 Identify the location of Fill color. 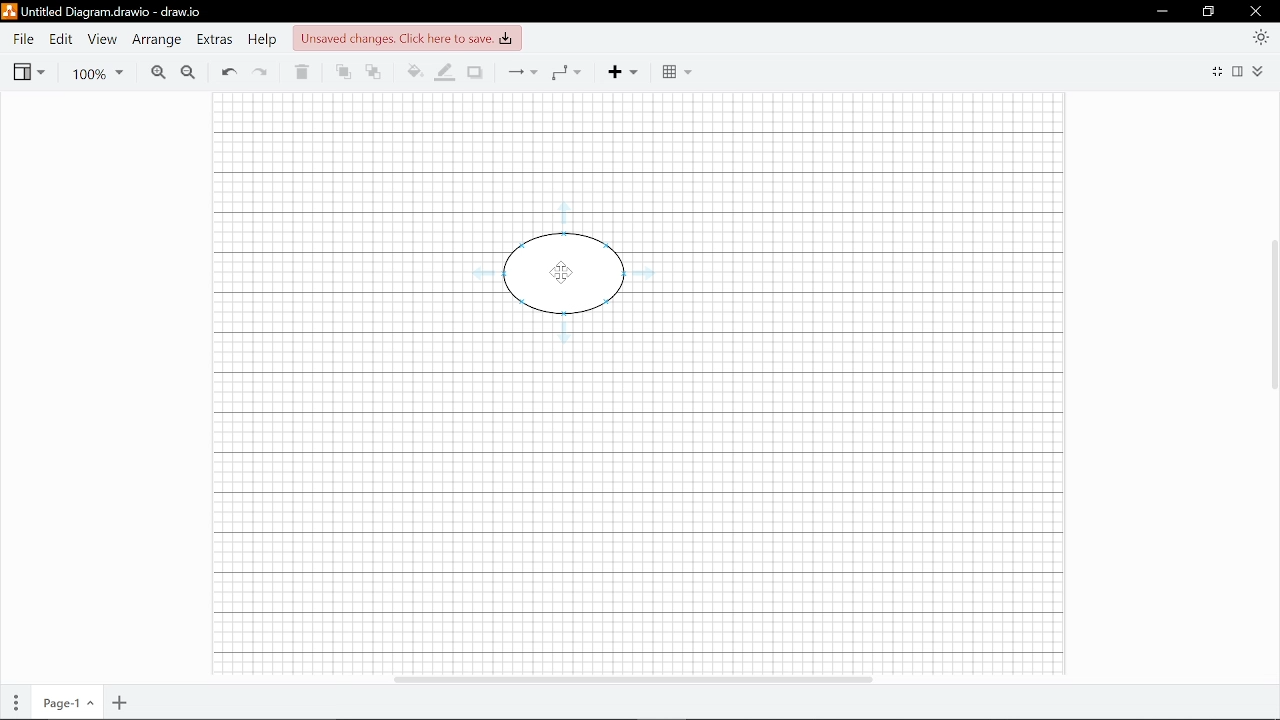
(414, 72).